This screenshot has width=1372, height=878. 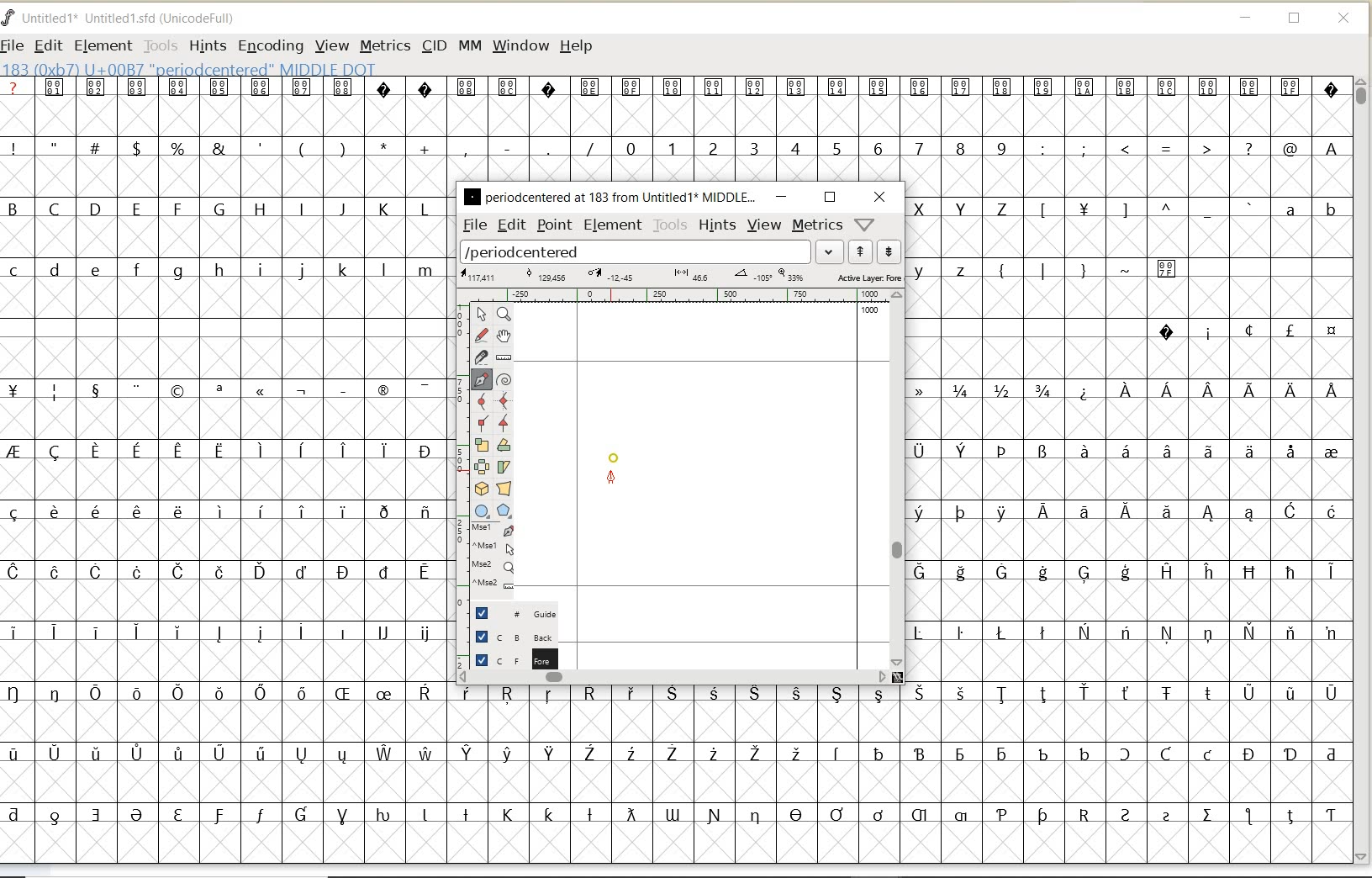 I want to click on uppercase letters, so click(x=221, y=209).